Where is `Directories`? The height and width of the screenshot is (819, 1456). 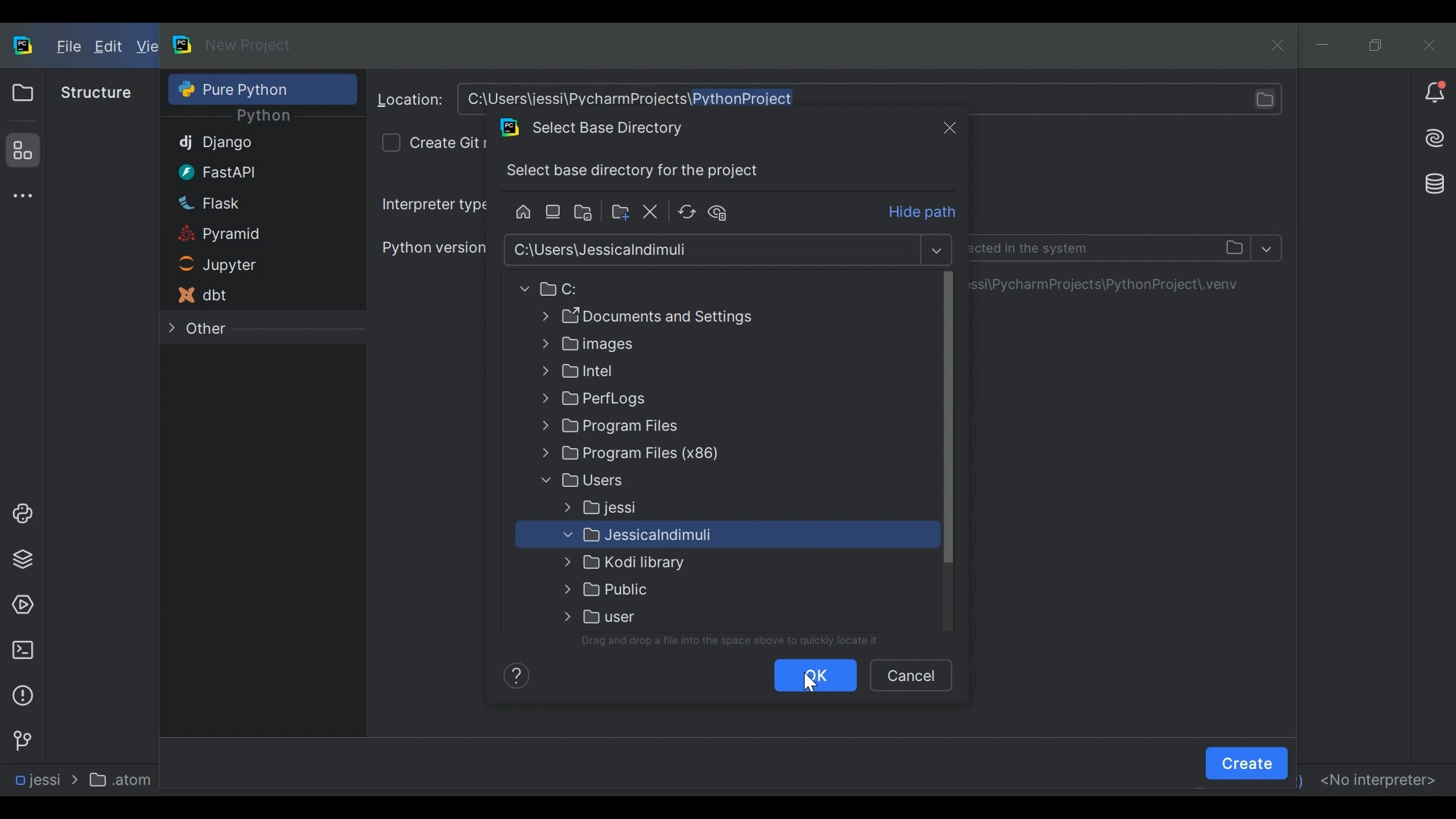 Directories is located at coordinates (1113, 284).